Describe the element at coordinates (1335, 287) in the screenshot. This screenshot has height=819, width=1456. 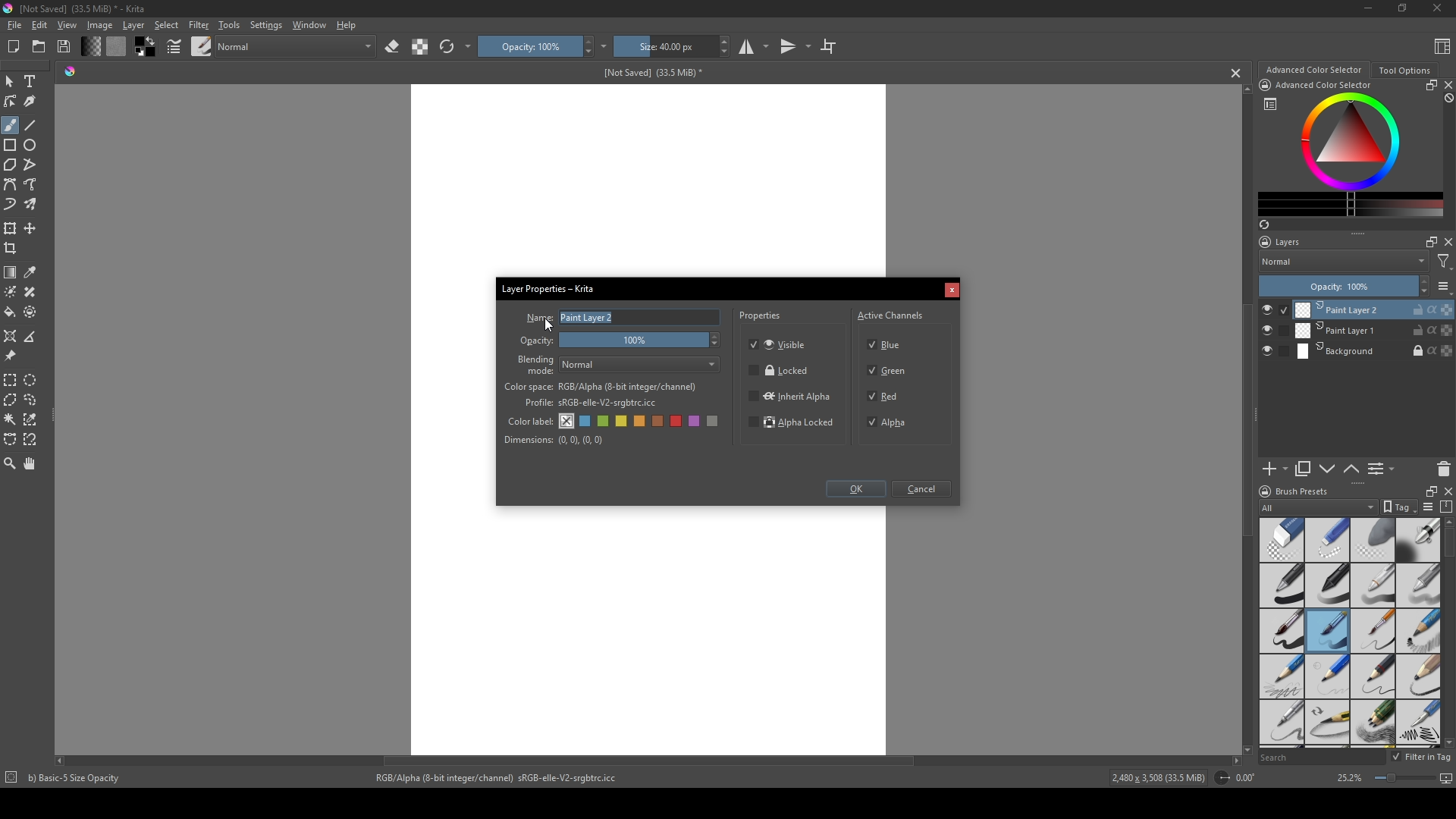
I see `Opacity: 100%` at that location.